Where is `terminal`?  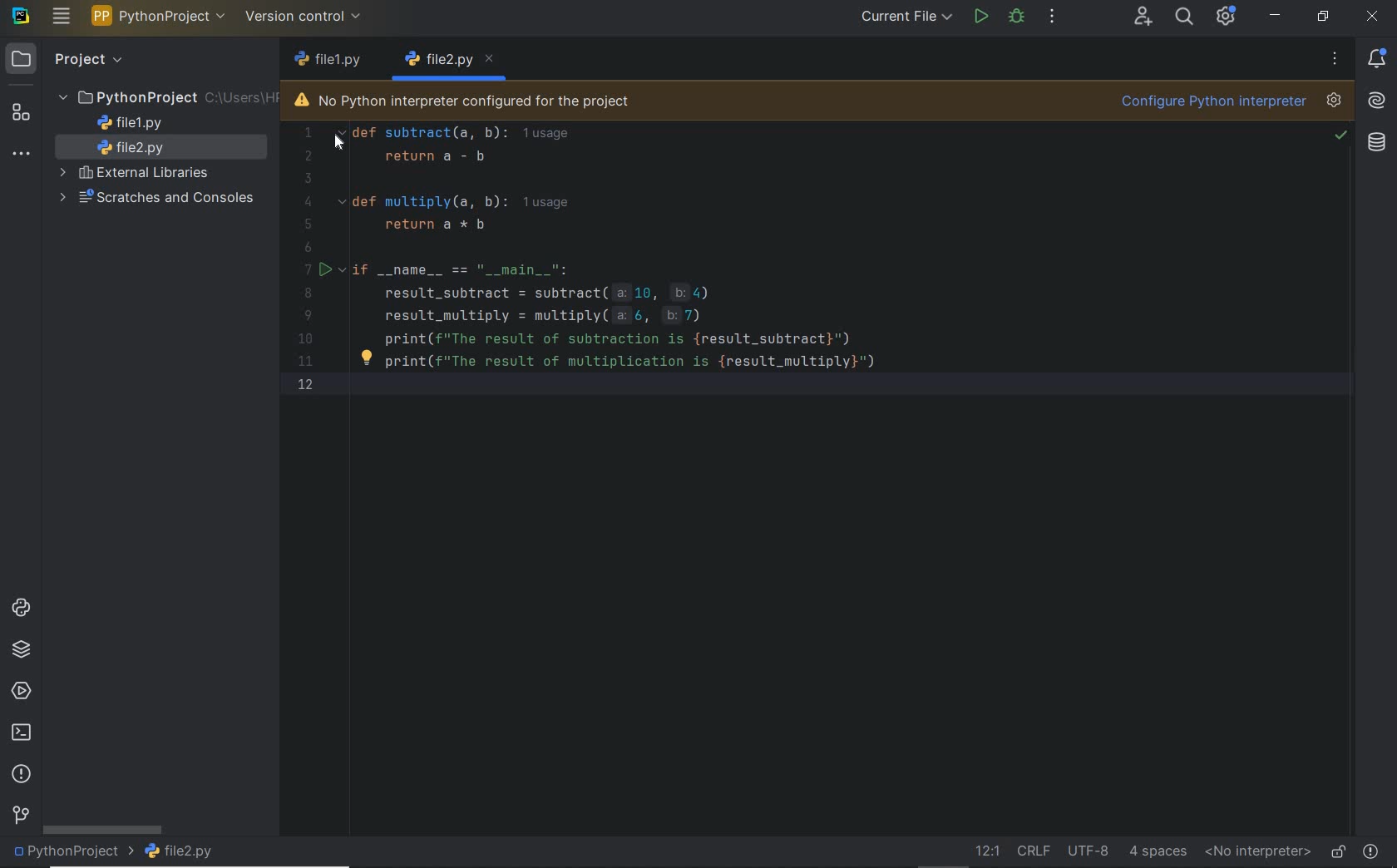
terminal is located at coordinates (20, 734).